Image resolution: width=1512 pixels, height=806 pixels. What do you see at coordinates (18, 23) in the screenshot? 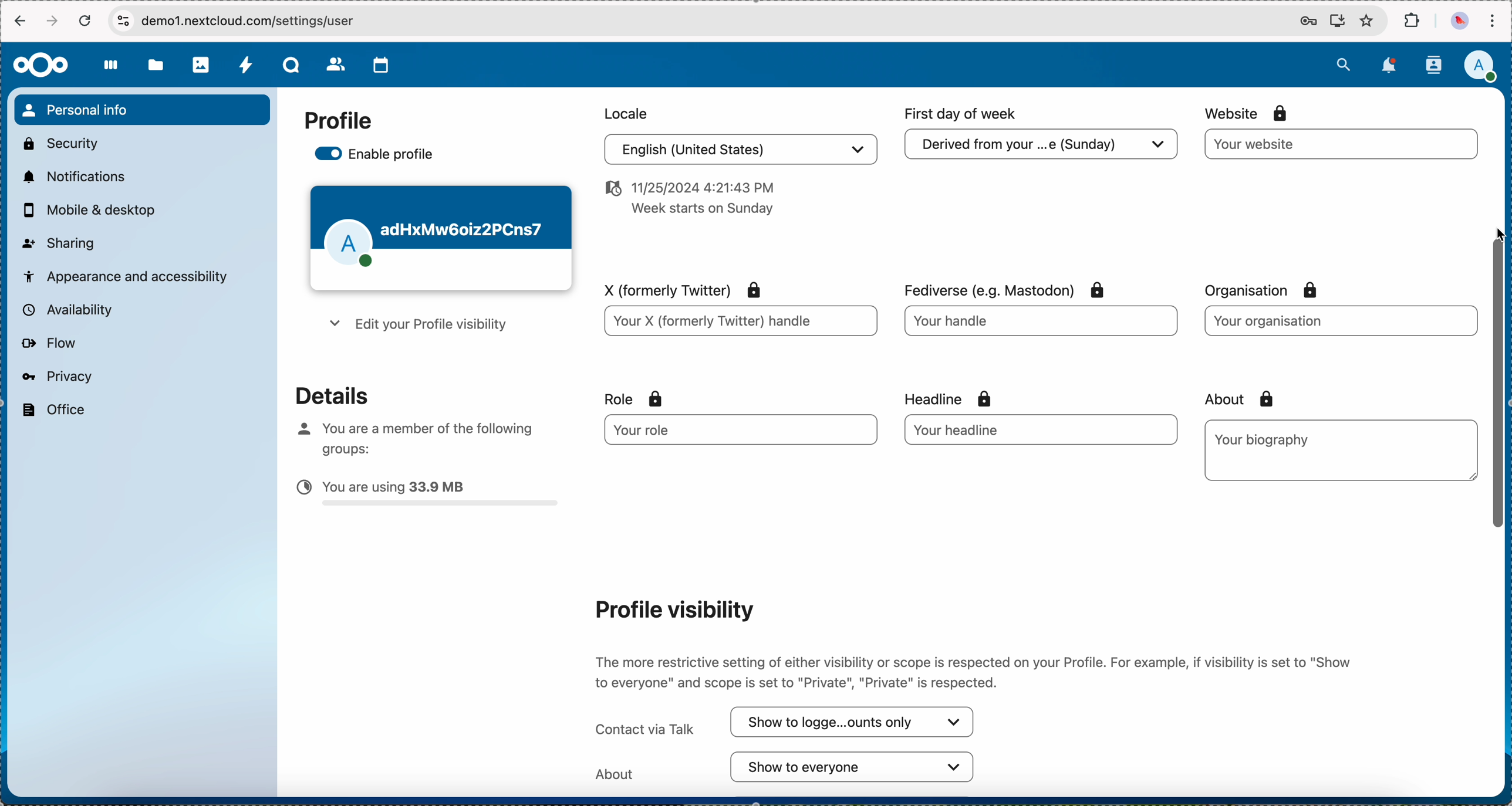
I see `navigate back` at bounding box center [18, 23].